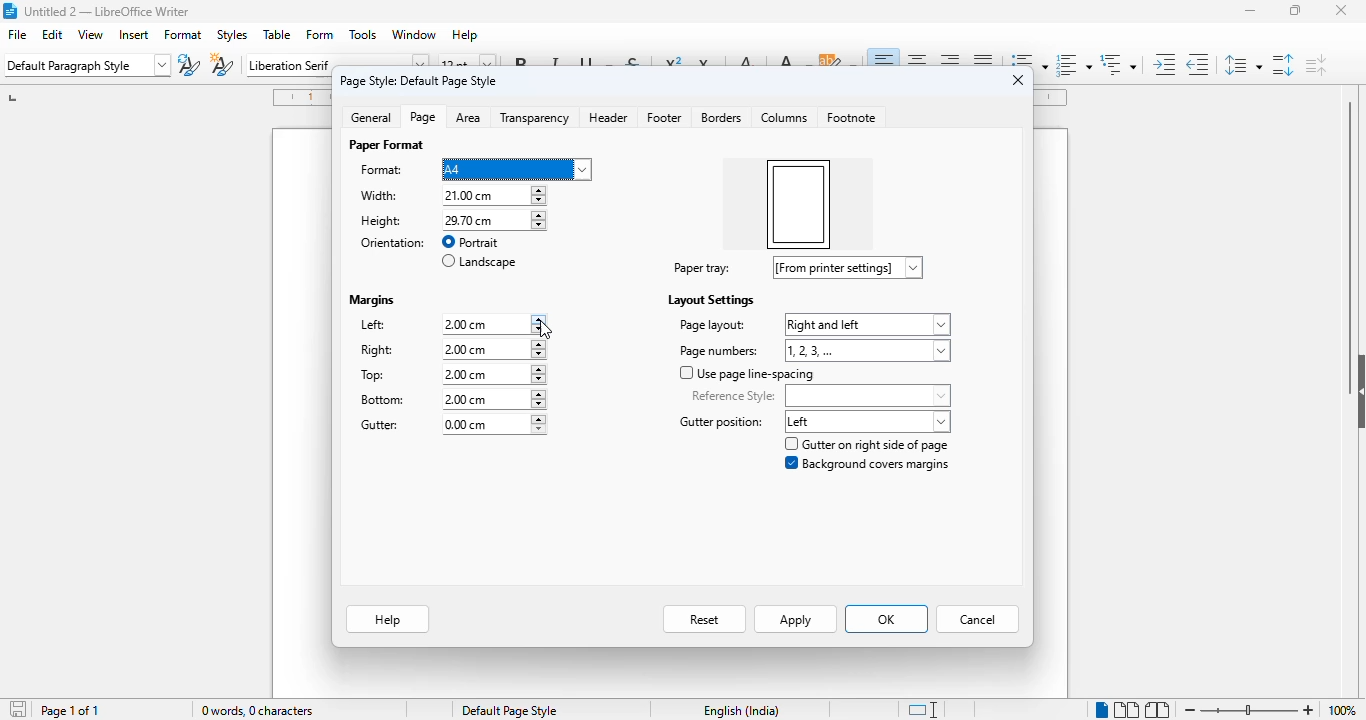  Describe the element at coordinates (1031, 59) in the screenshot. I see `toggle unordered list` at that location.